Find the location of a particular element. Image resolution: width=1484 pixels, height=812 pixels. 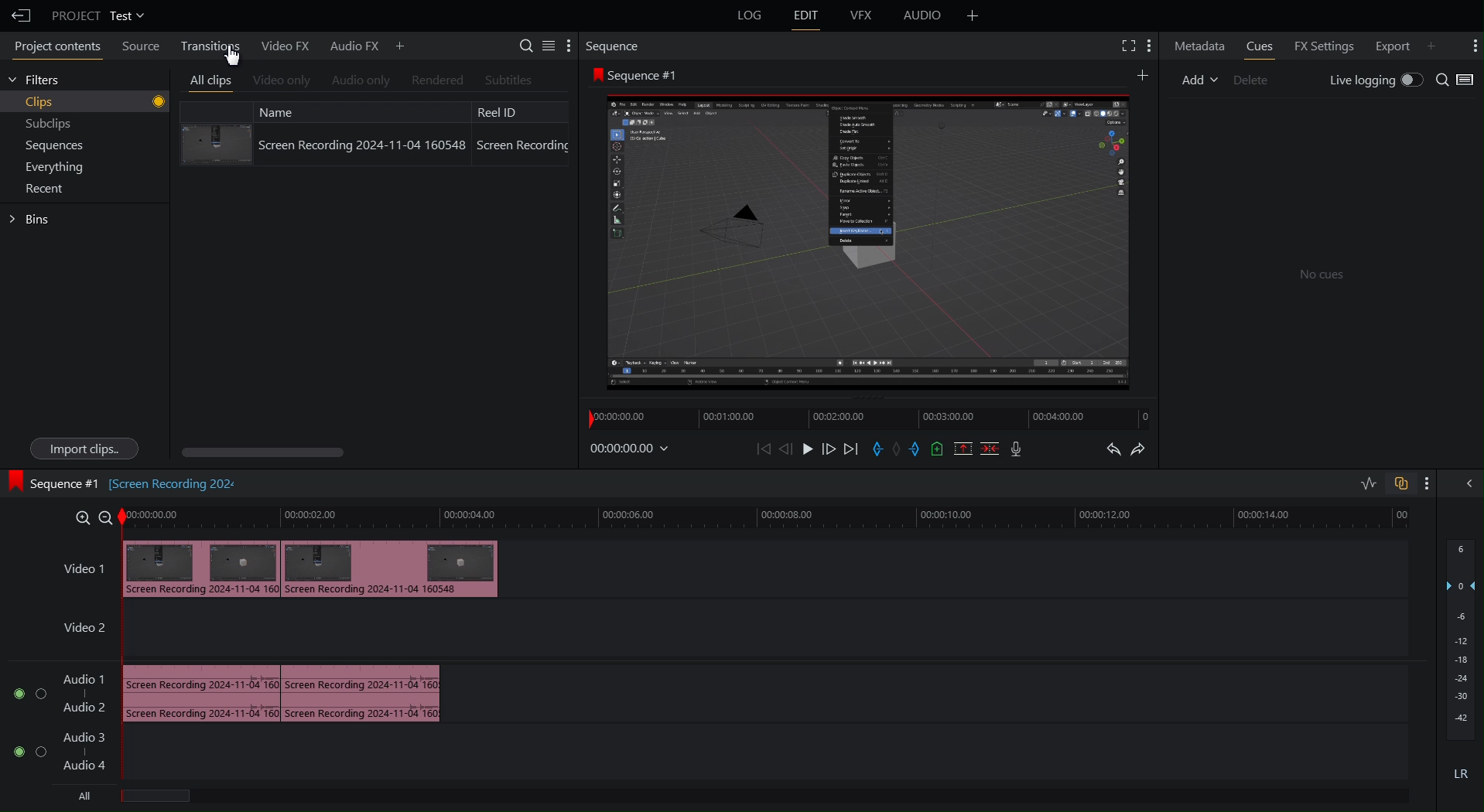

toggle is located at coordinates (13, 750).